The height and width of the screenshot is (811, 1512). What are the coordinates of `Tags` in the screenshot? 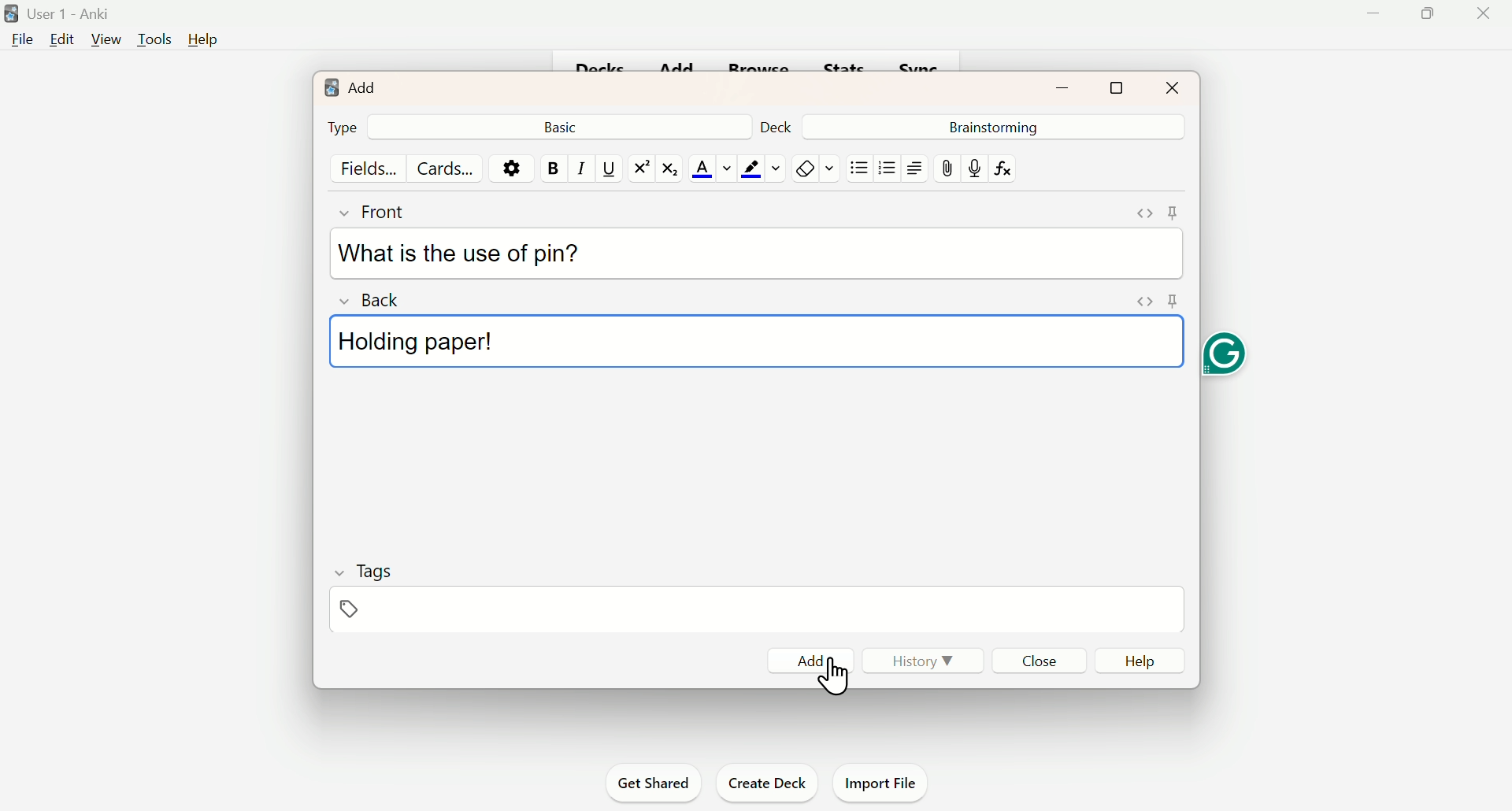 It's located at (365, 587).